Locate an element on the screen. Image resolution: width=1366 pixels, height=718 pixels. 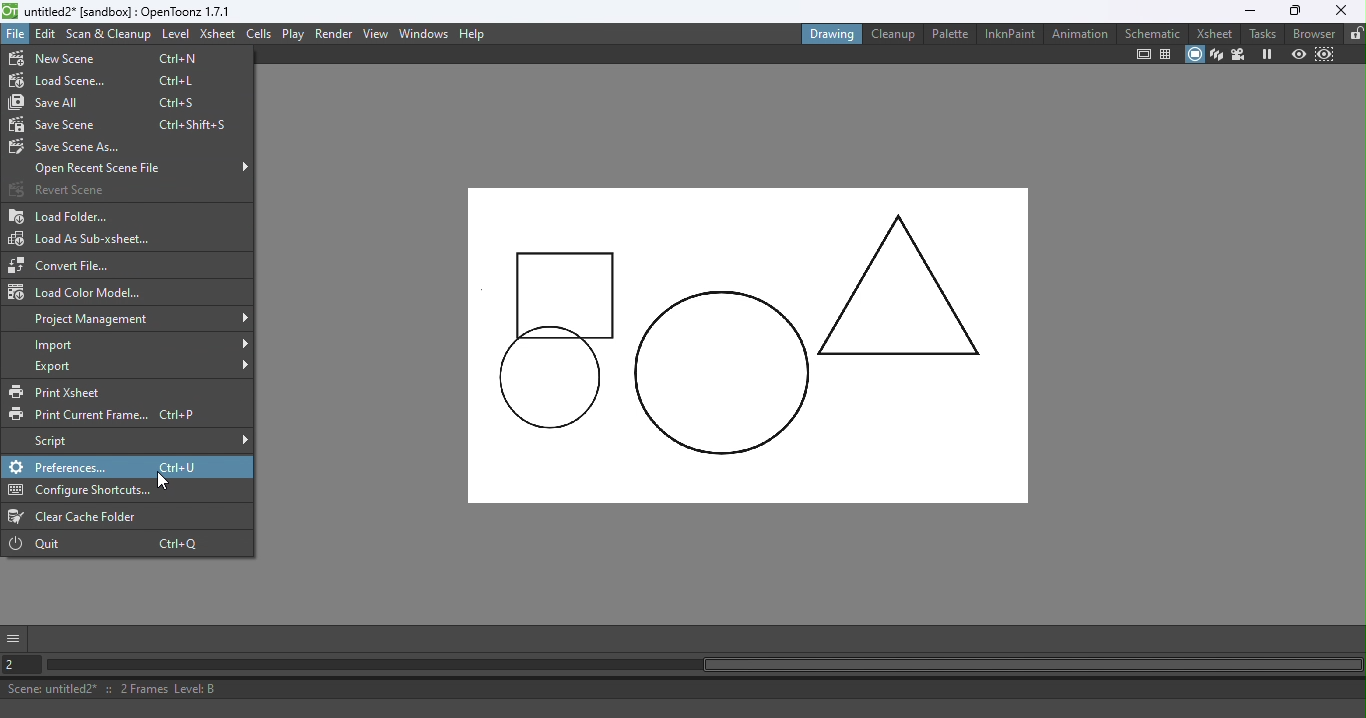
Cursor is located at coordinates (164, 480).